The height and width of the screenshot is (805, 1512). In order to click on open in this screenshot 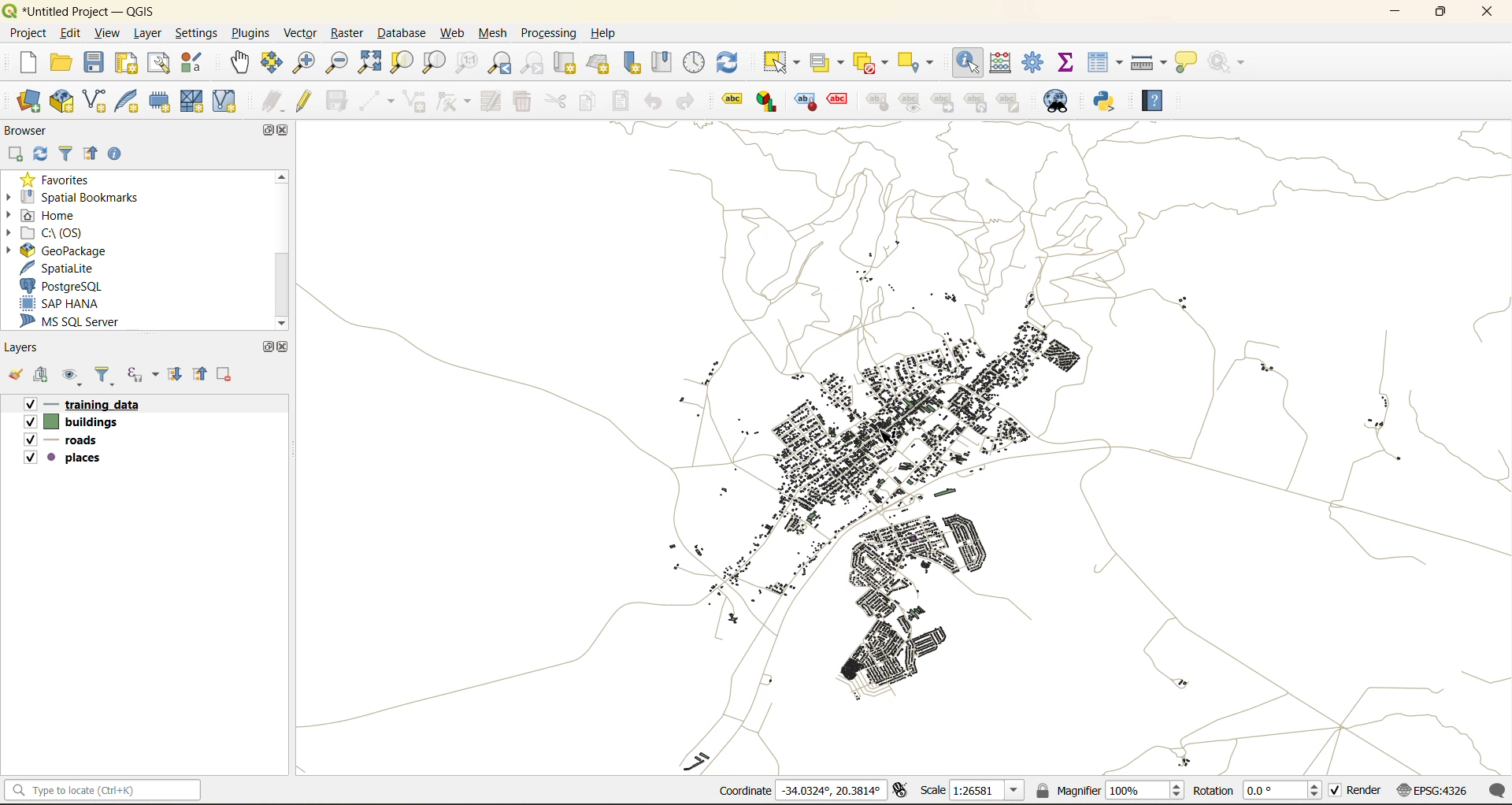, I will do `click(62, 65)`.